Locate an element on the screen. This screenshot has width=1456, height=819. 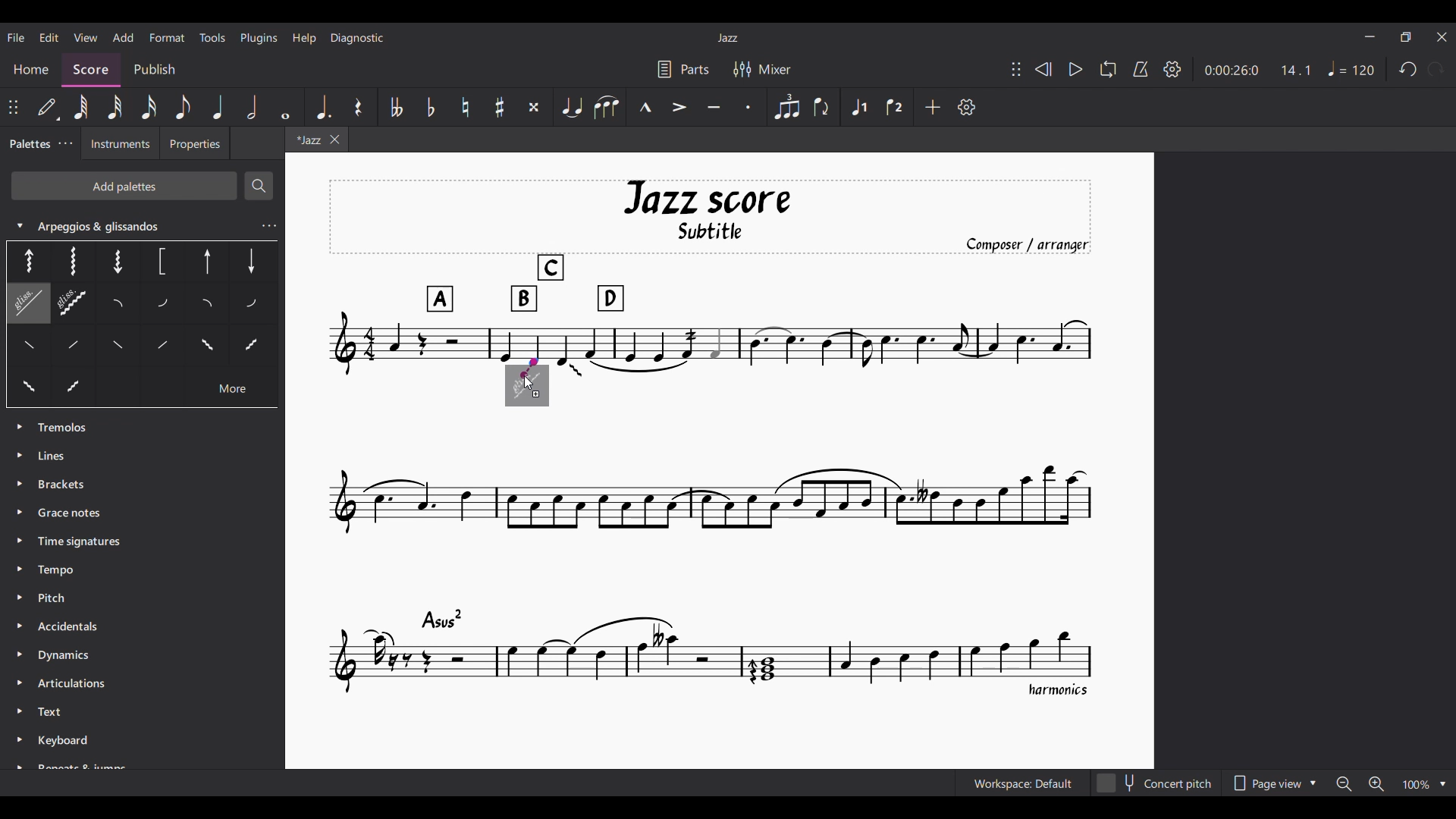
Palate 18 is located at coordinates (28, 388).